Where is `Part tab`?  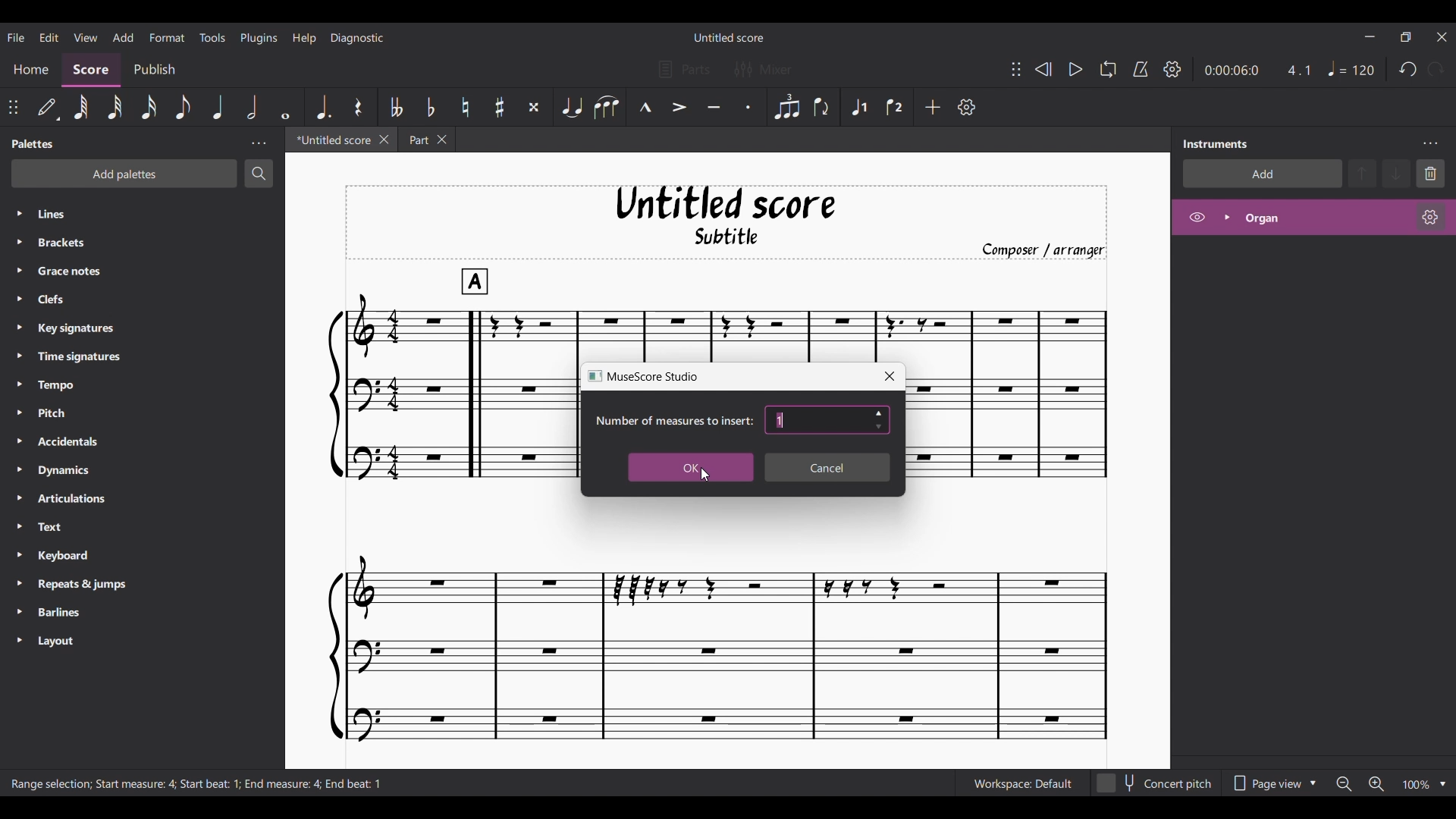
Part tab is located at coordinates (417, 140).